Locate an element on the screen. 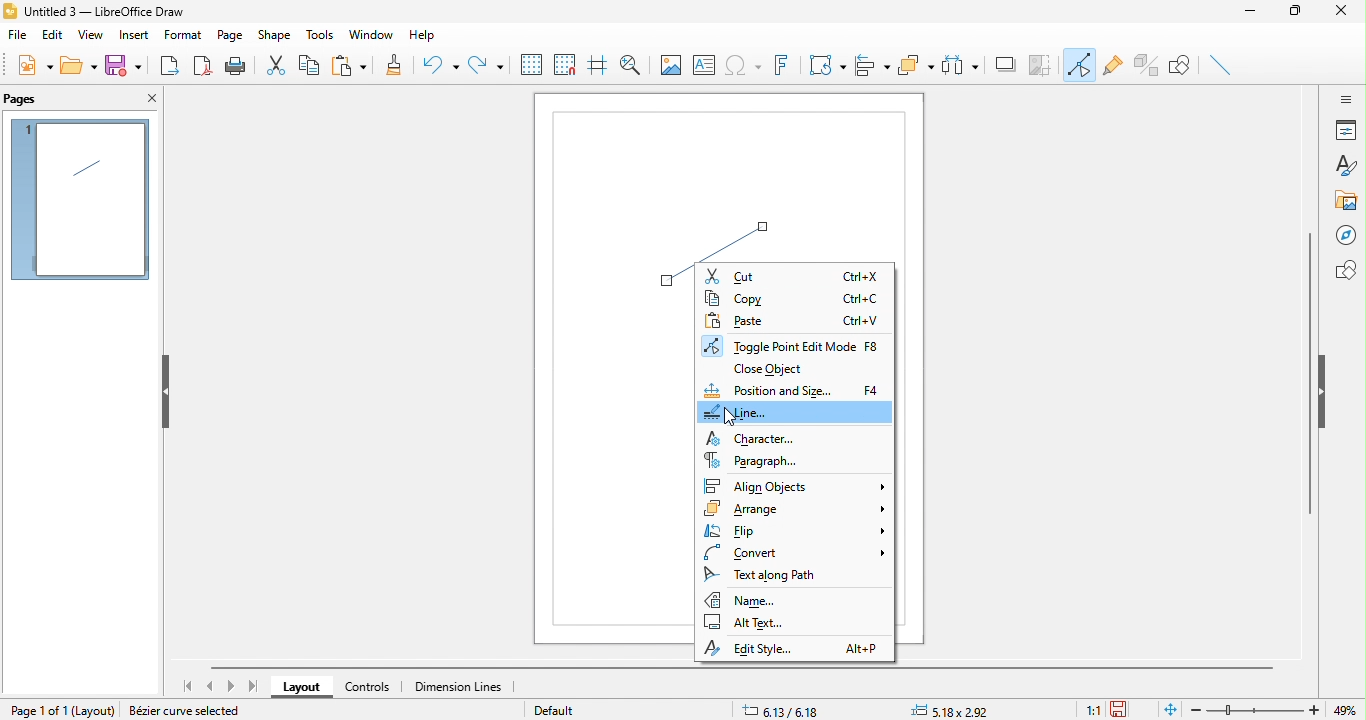 The height and width of the screenshot is (720, 1366). horizontal scroll bar is located at coordinates (748, 666).